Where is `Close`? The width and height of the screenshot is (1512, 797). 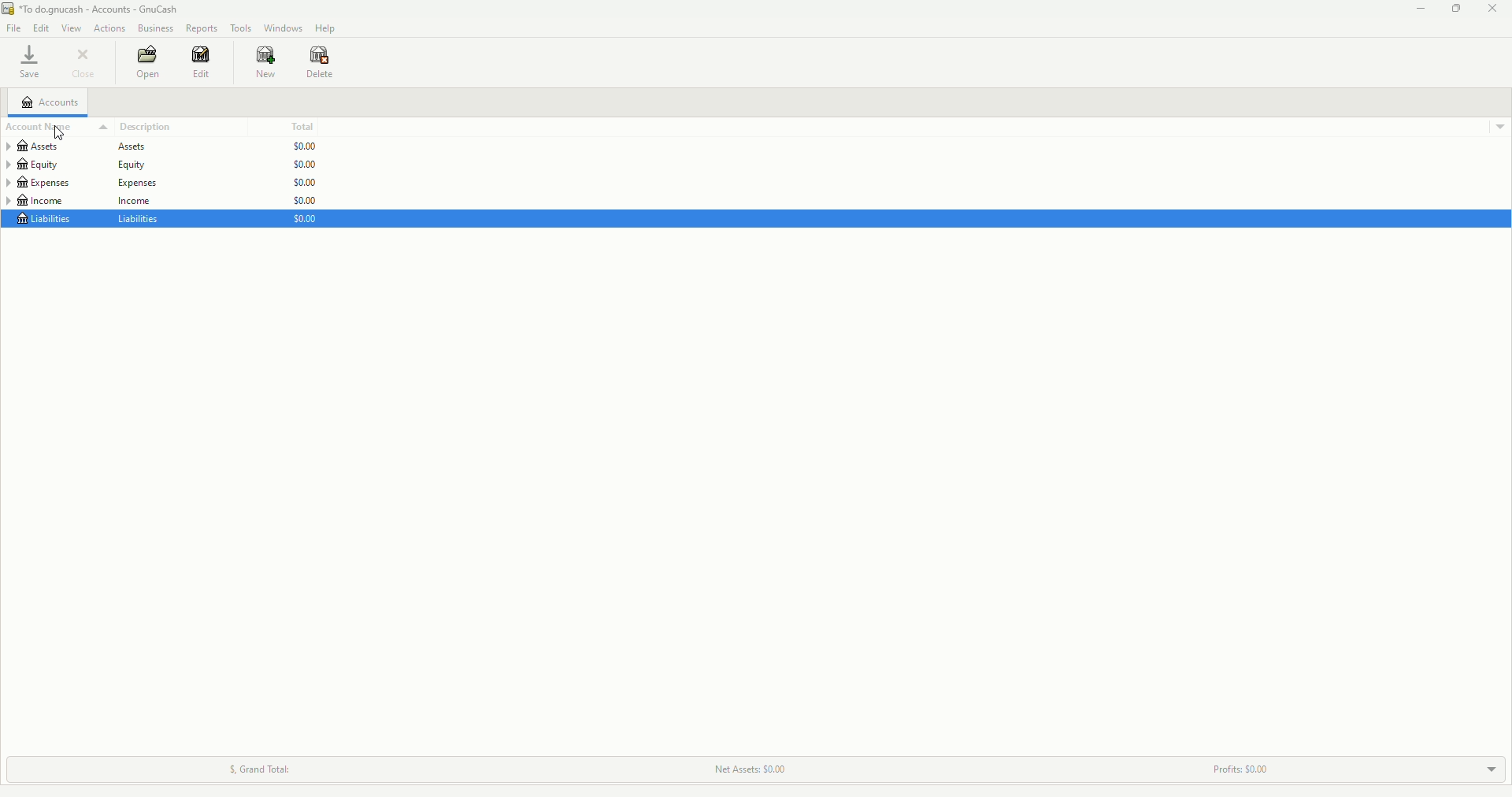
Close is located at coordinates (1495, 9).